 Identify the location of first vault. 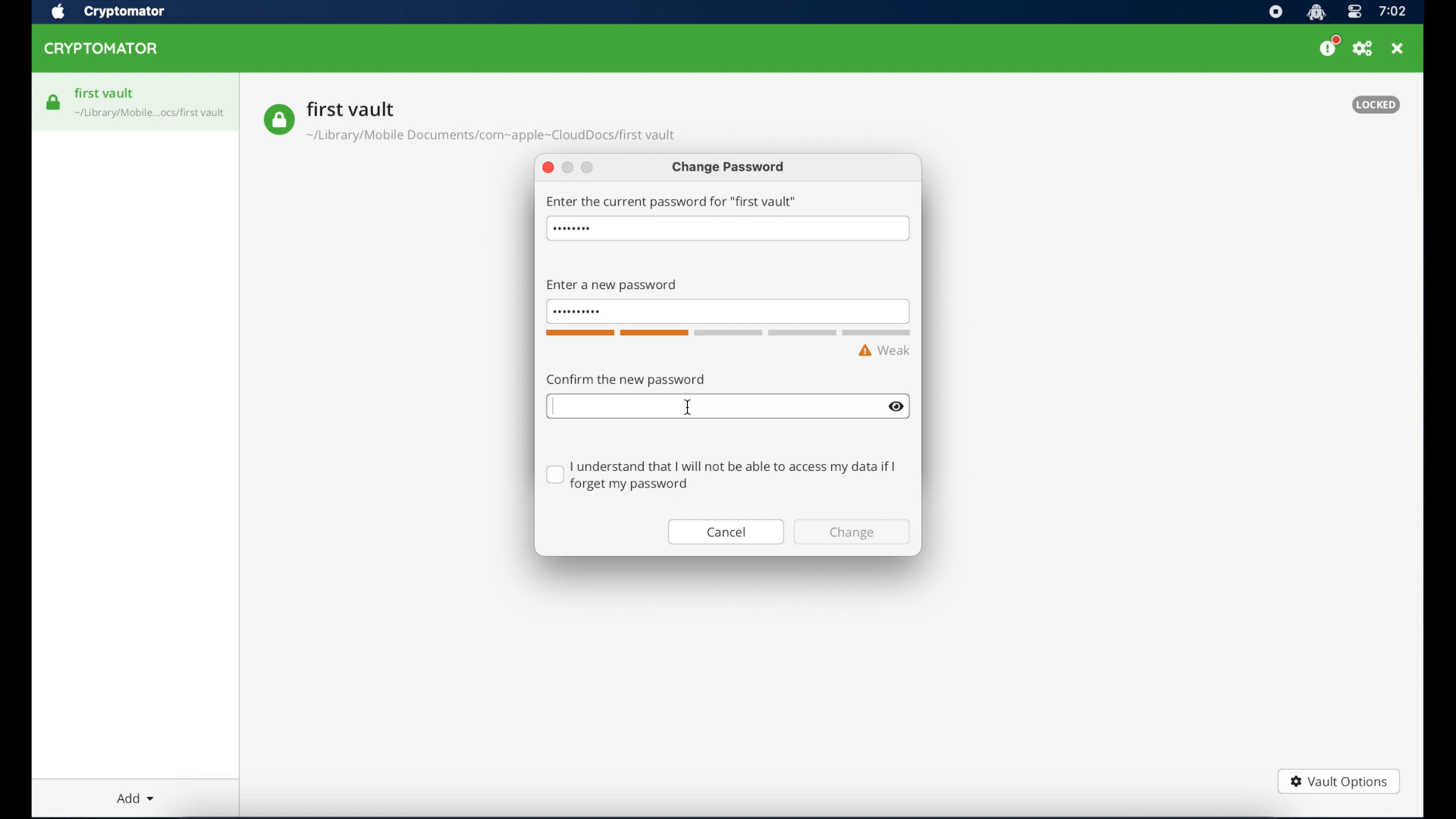
(105, 93).